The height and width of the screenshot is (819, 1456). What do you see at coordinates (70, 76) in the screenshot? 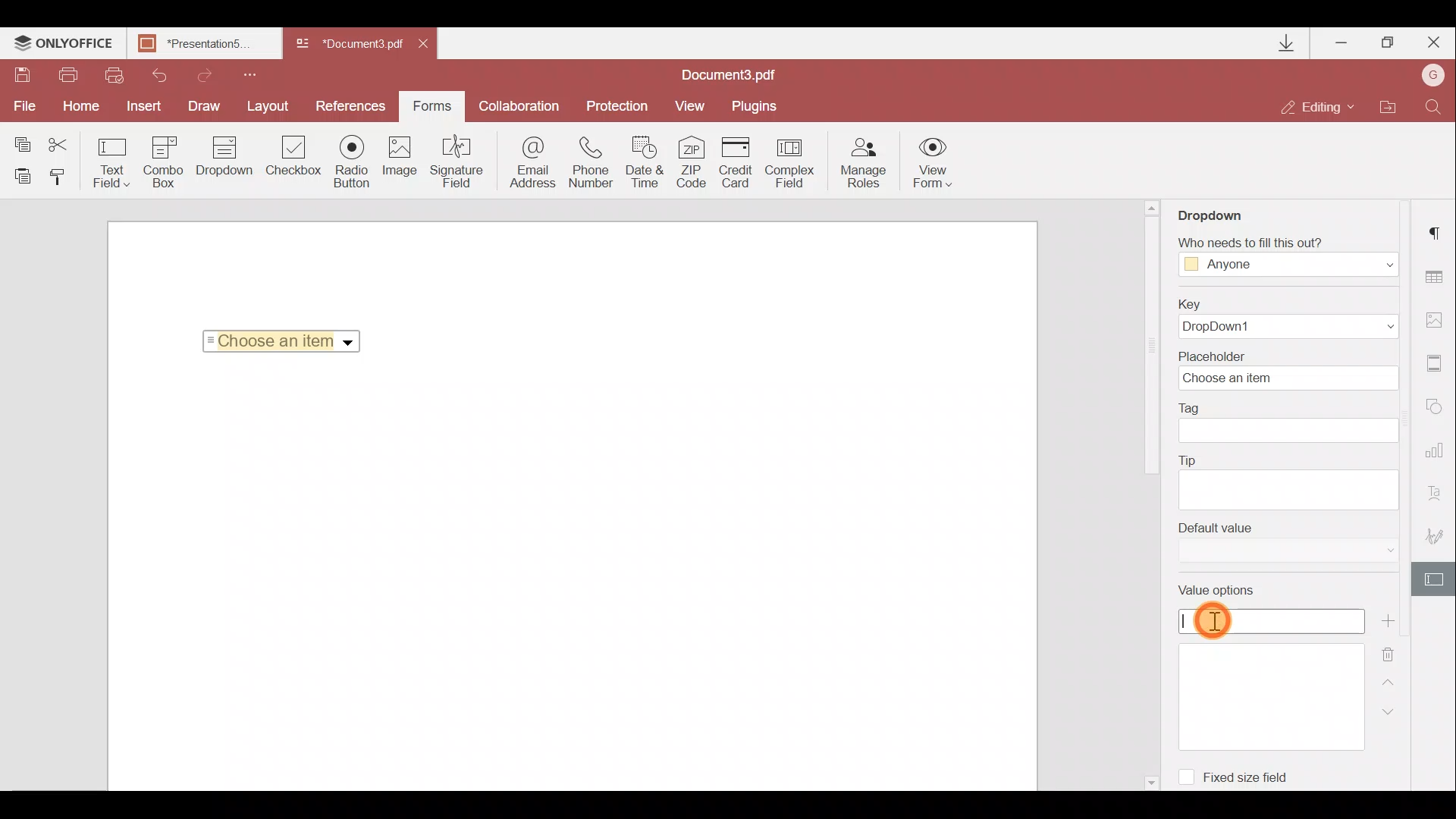
I see `Print file` at bounding box center [70, 76].